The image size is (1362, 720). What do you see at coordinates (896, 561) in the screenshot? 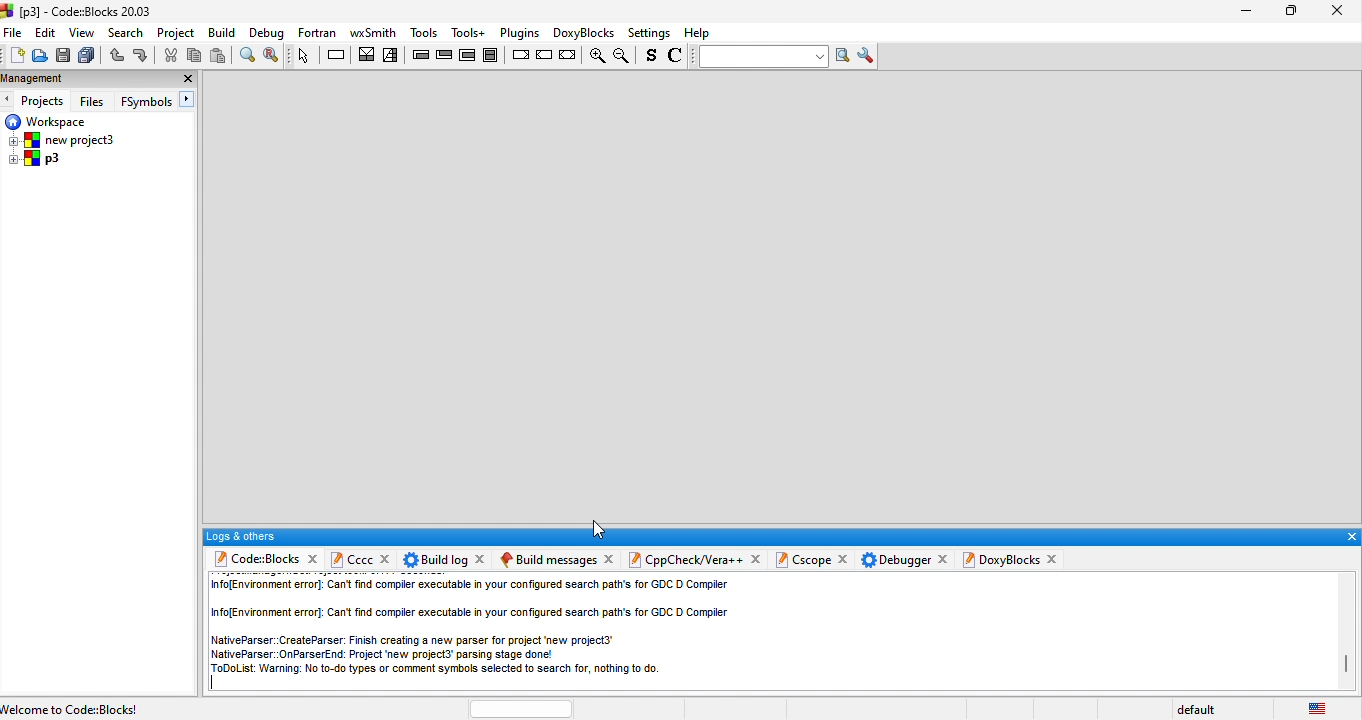
I see `debugger` at bounding box center [896, 561].